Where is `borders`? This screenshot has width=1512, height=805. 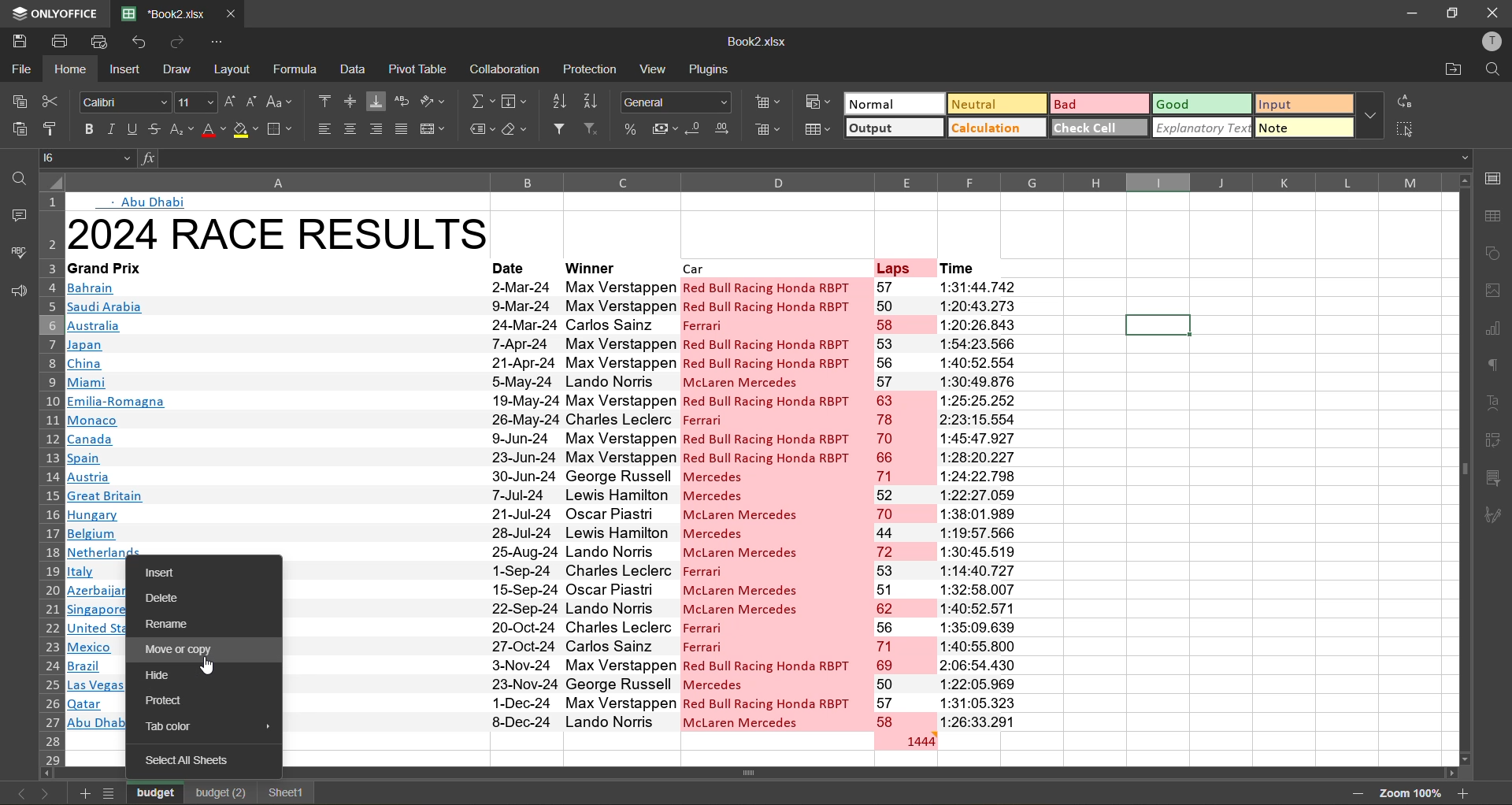 borders is located at coordinates (282, 129).